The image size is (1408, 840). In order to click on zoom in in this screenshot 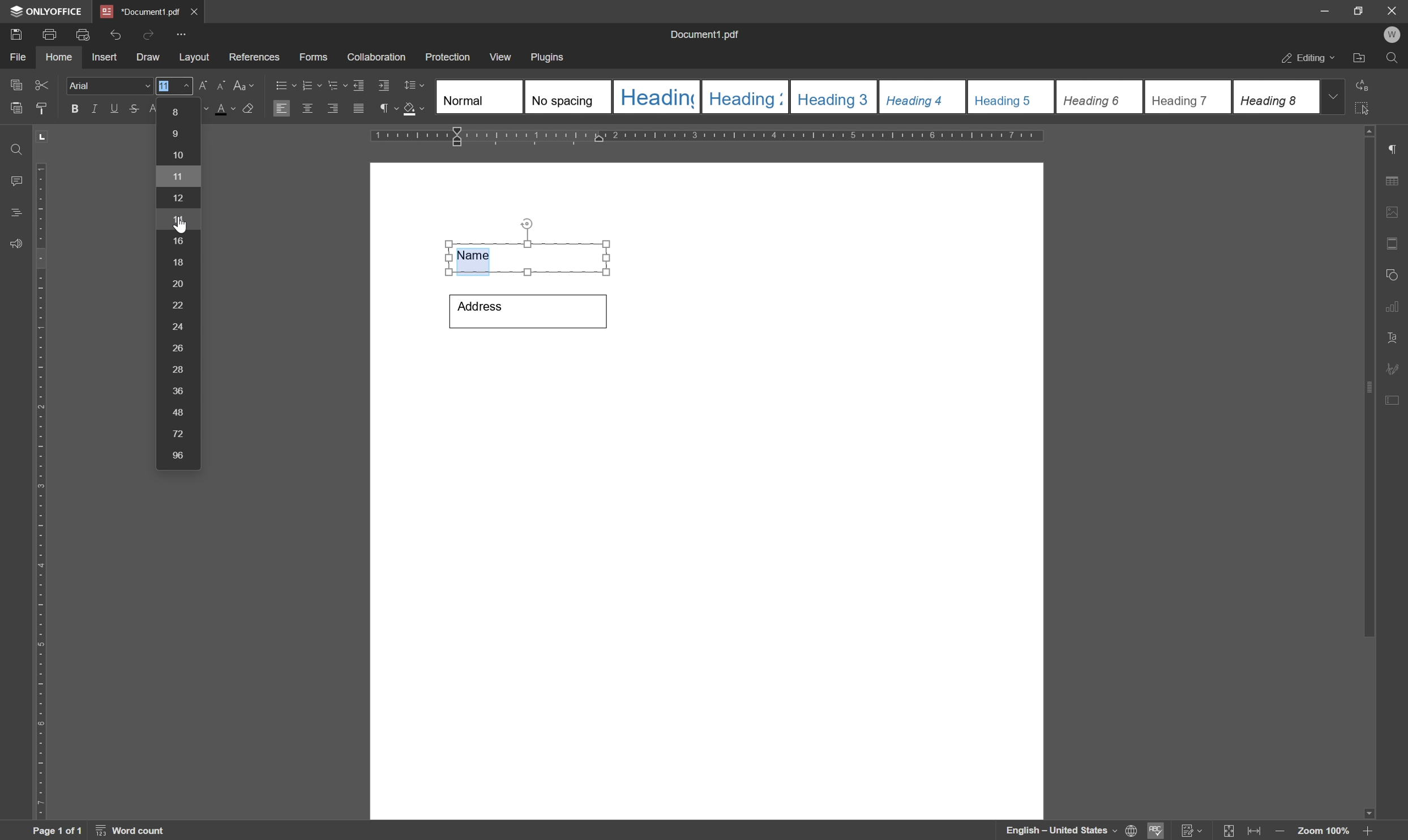, I will do `click(1366, 831)`.